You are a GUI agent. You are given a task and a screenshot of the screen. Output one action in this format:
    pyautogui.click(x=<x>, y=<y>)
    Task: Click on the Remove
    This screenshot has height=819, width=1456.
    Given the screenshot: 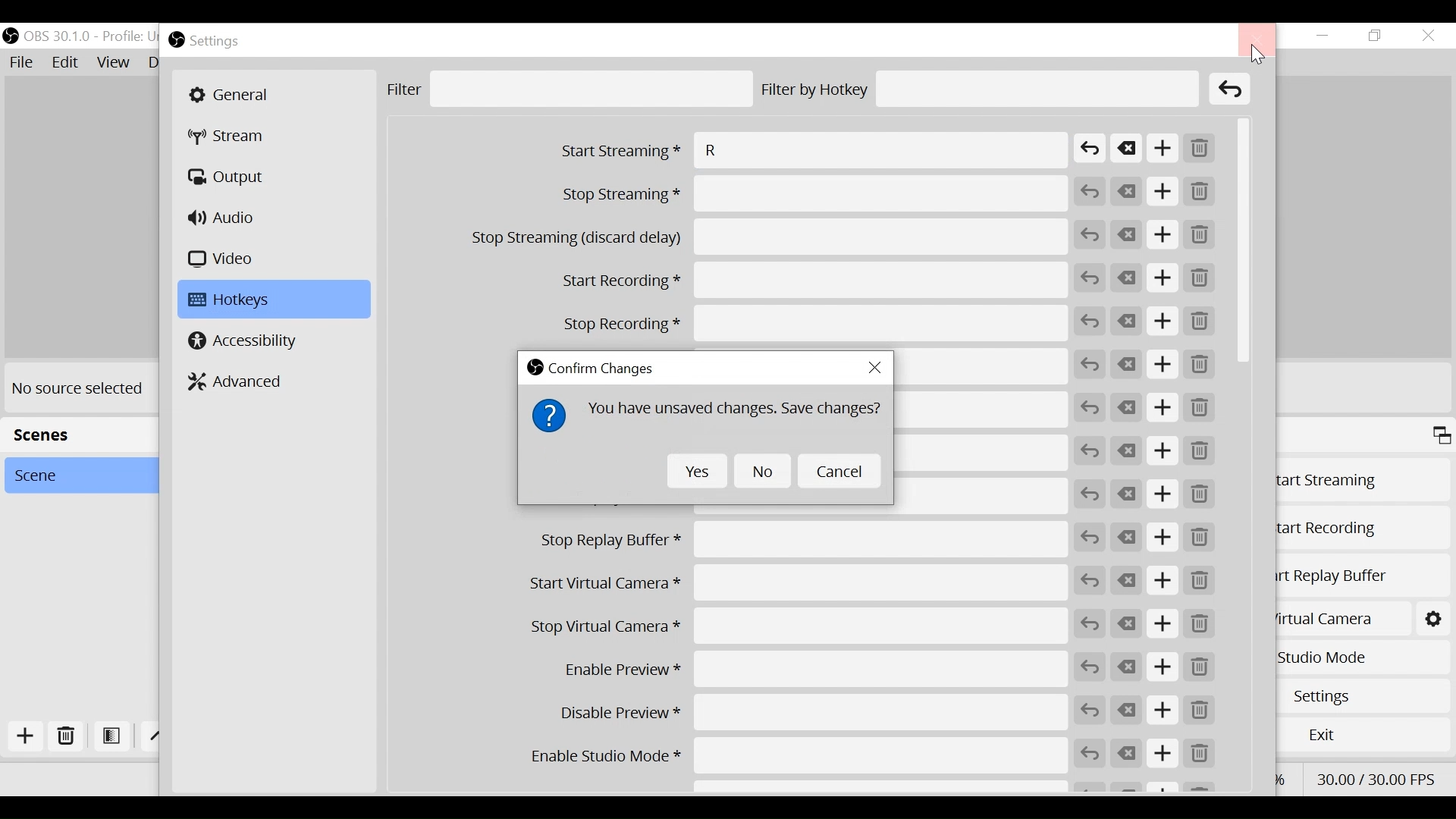 What is the action you would take?
    pyautogui.click(x=1200, y=406)
    